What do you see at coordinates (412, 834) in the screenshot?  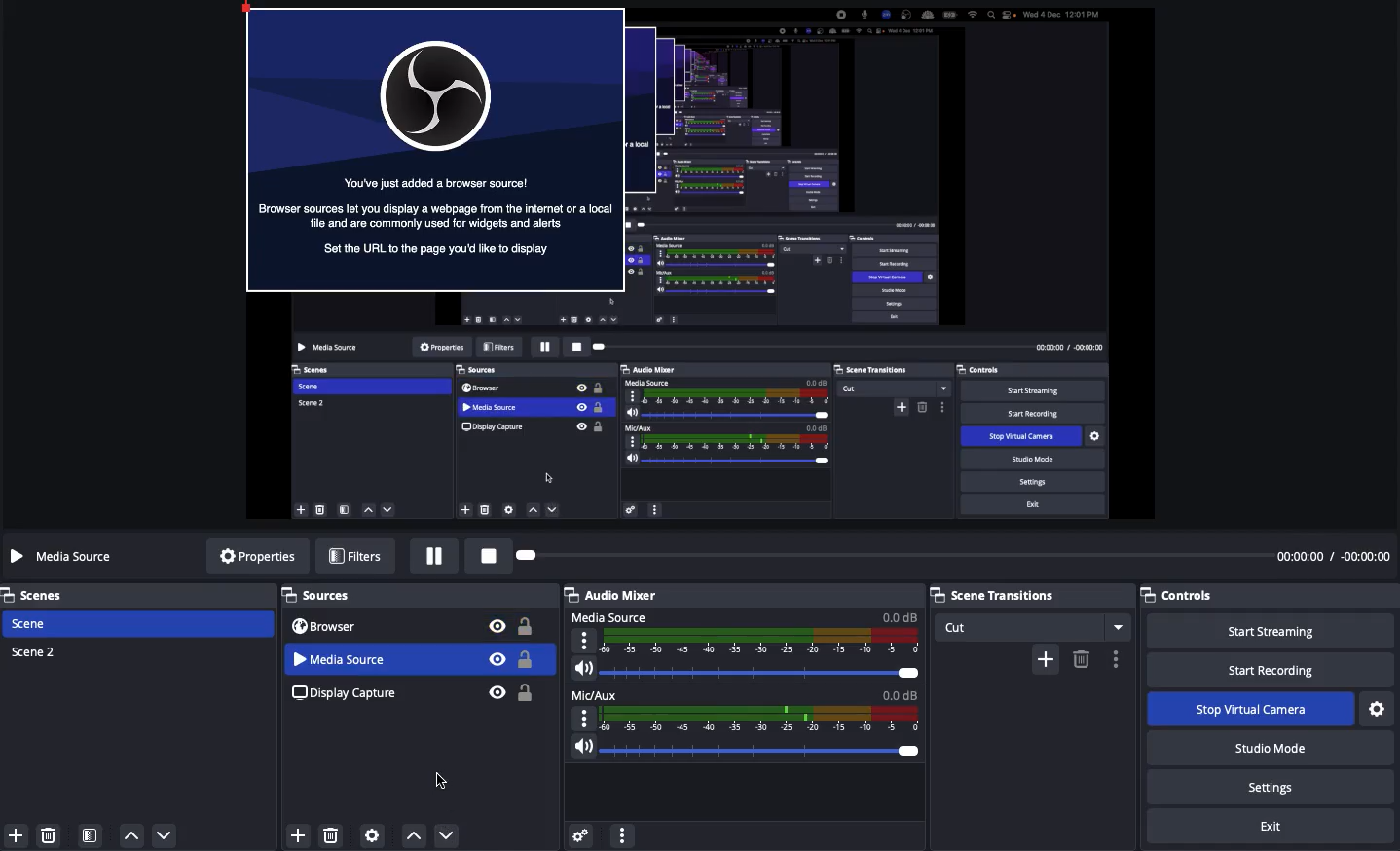 I see `Move up` at bounding box center [412, 834].